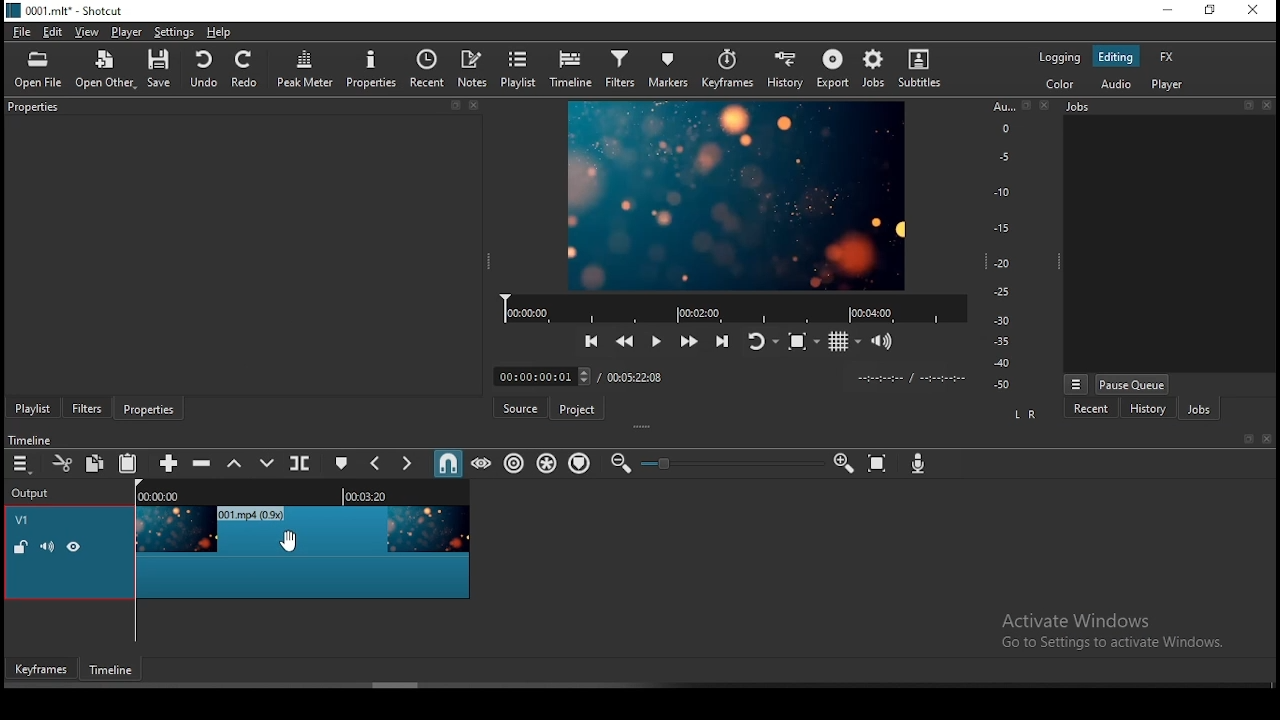 Image resolution: width=1280 pixels, height=720 pixels. I want to click on settings, so click(175, 31).